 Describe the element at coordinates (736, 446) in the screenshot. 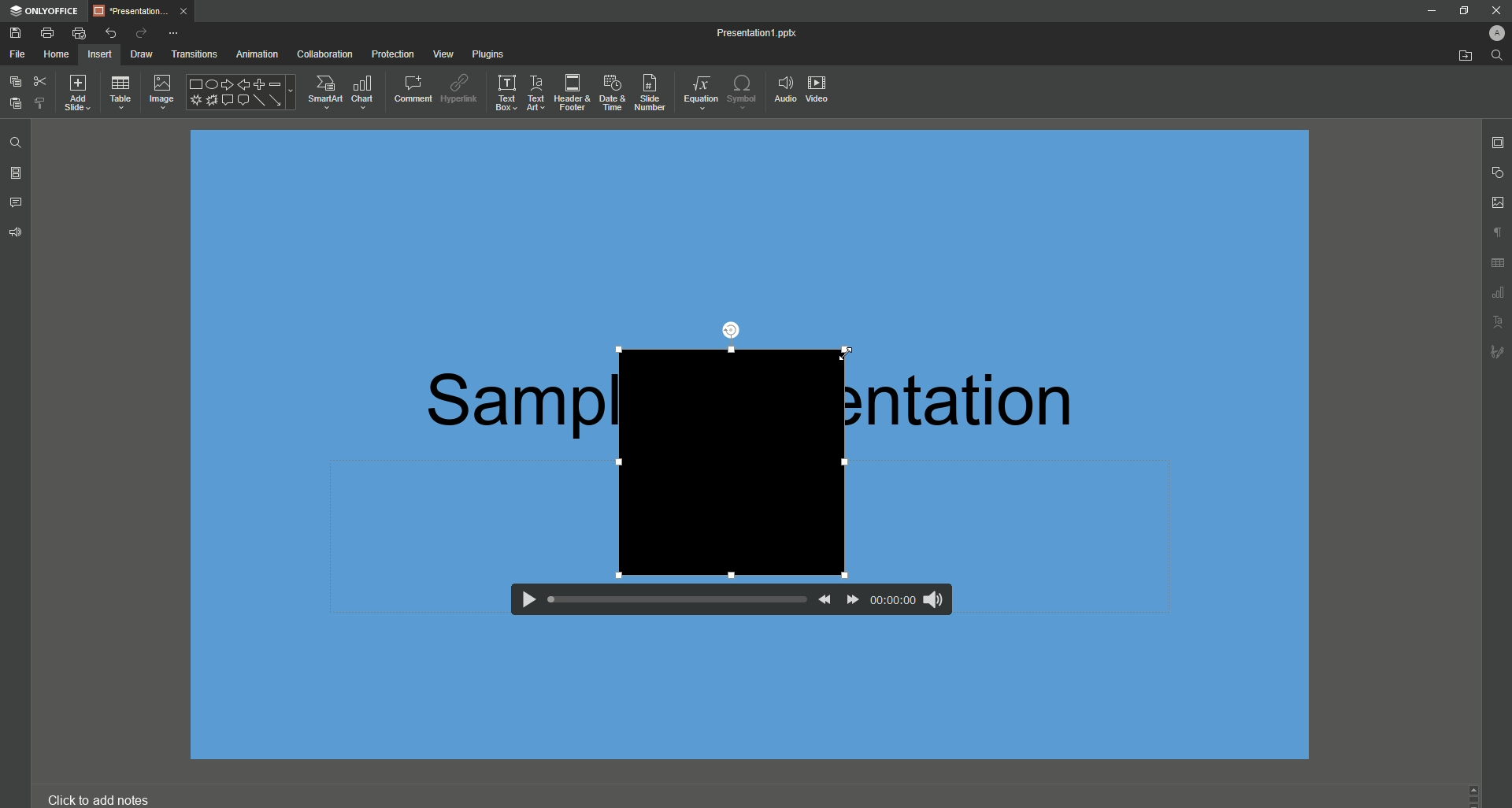

I see `Video` at that location.